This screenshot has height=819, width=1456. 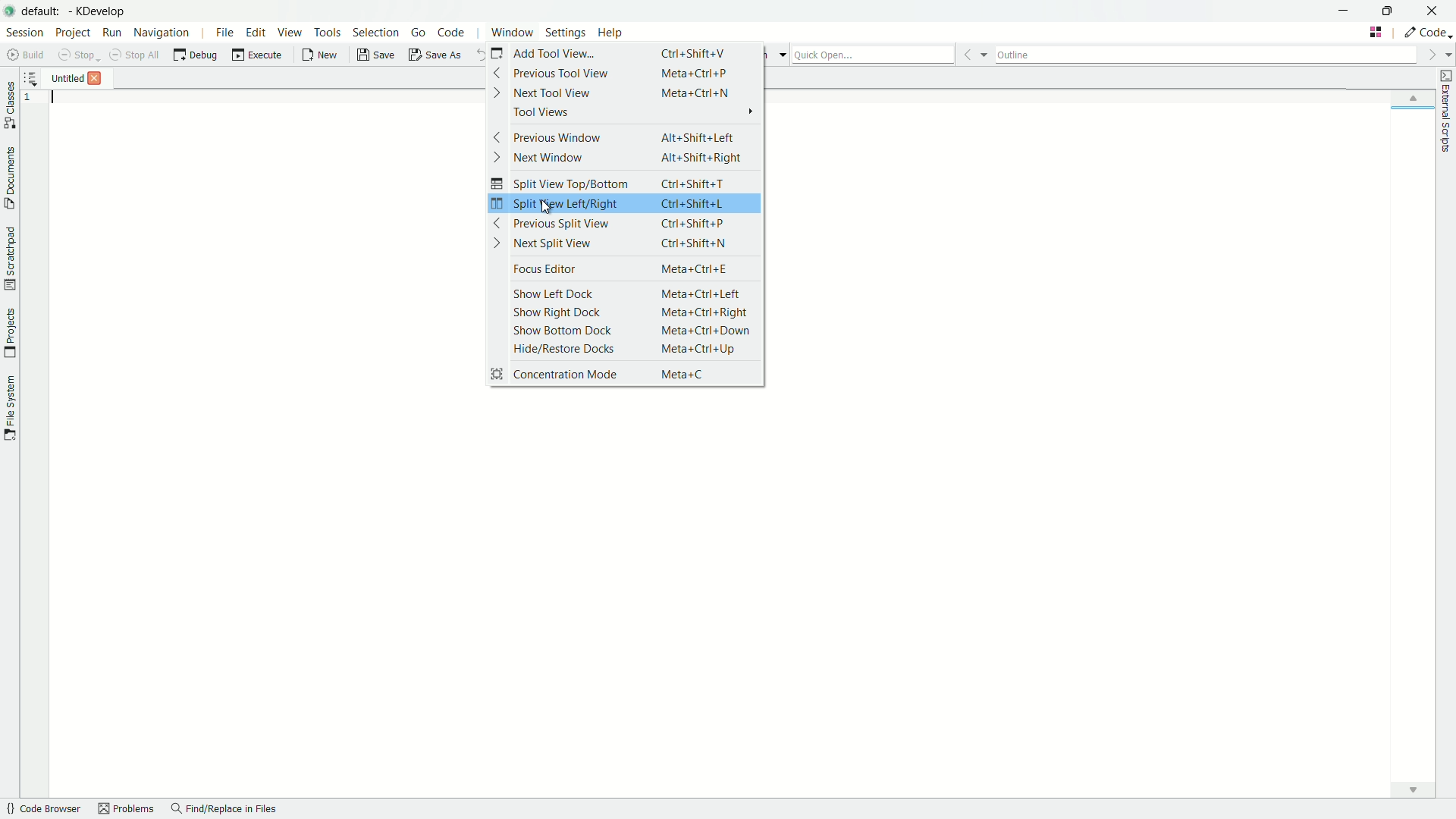 What do you see at coordinates (565, 137) in the screenshot?
I see `previous window` at bounding box center [565, 137].